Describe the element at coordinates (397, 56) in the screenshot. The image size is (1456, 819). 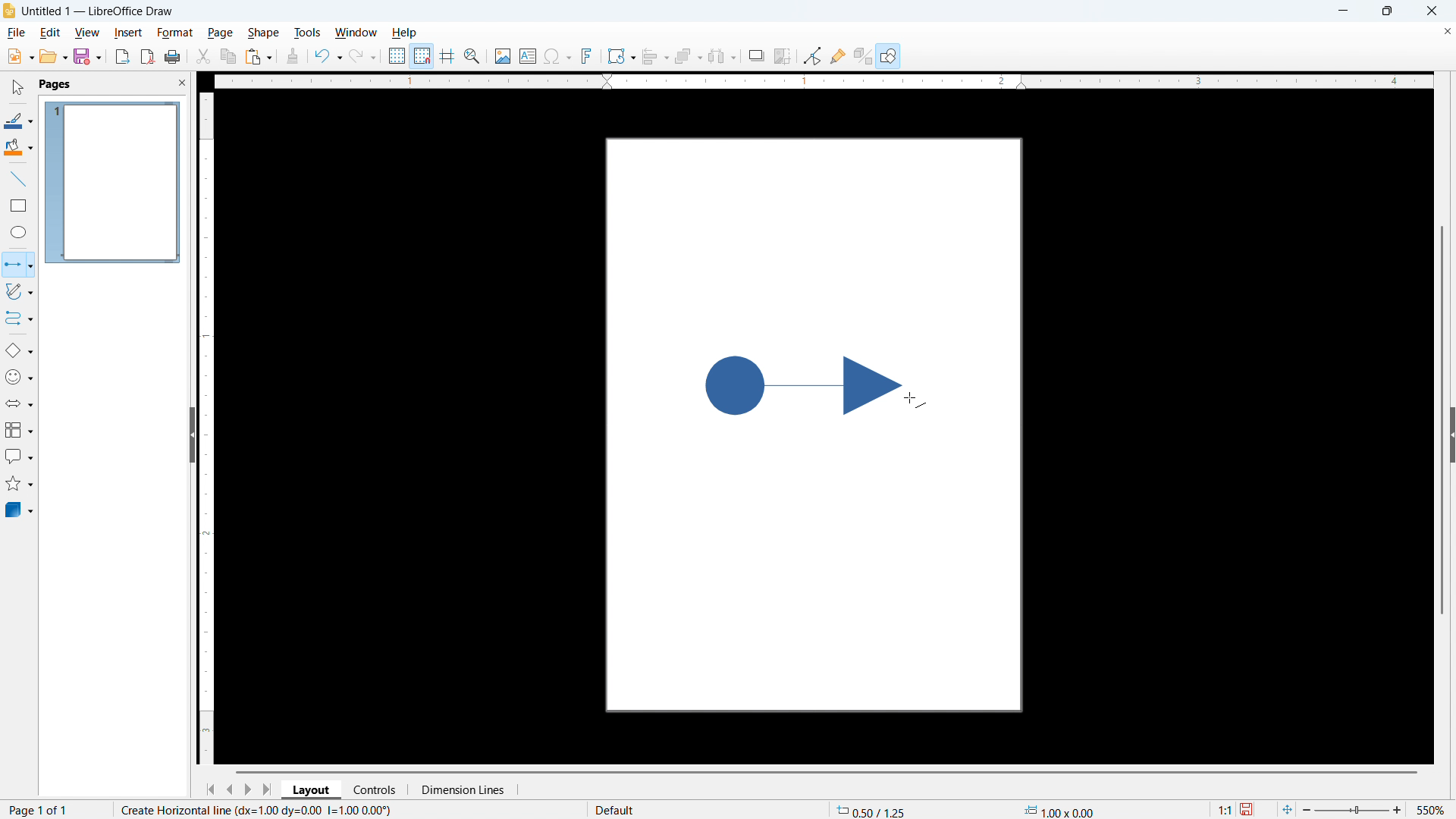
I see `Use grid ` at that location.